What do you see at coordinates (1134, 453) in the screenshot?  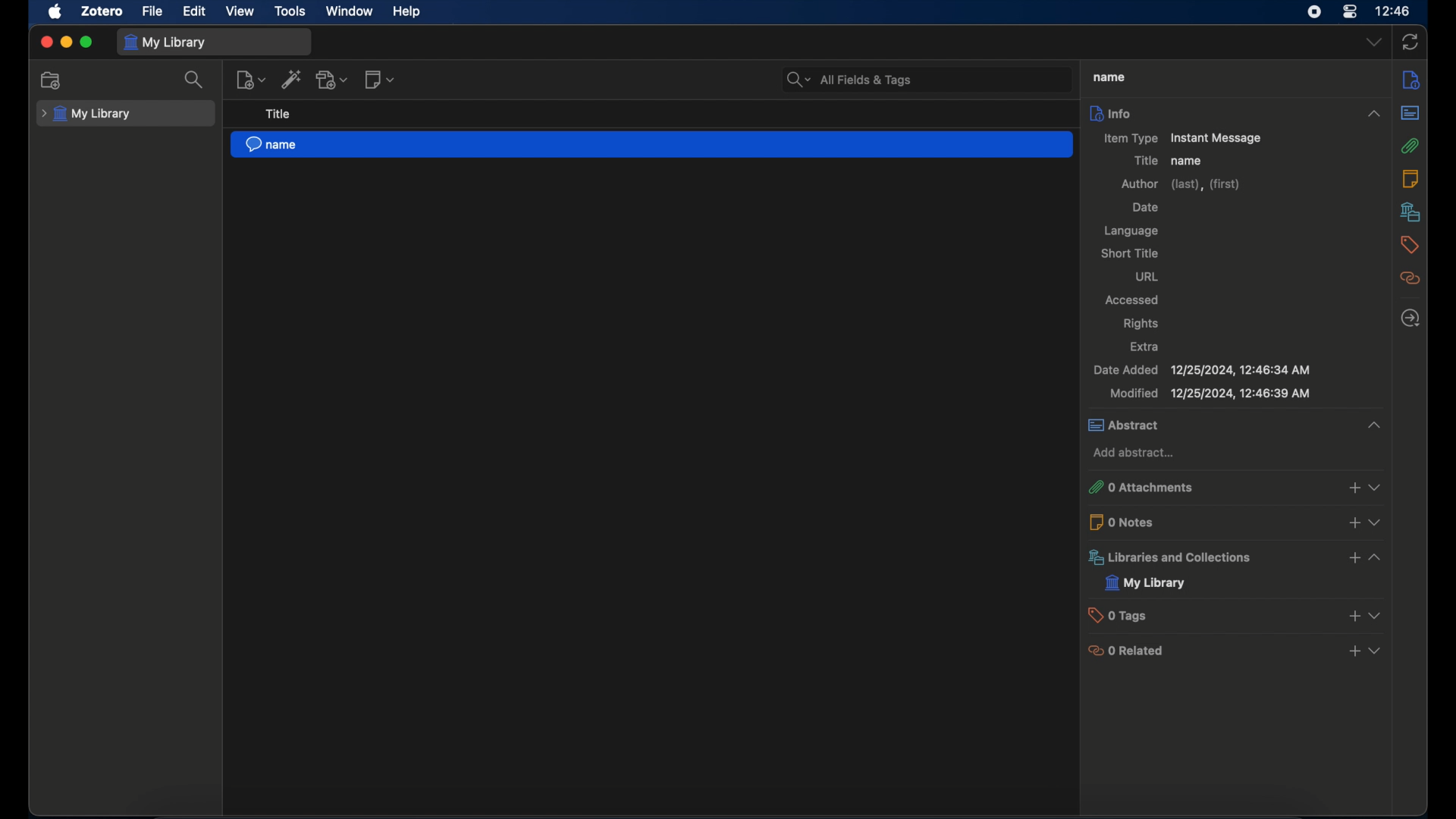 I see `add abstract` at bounding box center [1134, 453].